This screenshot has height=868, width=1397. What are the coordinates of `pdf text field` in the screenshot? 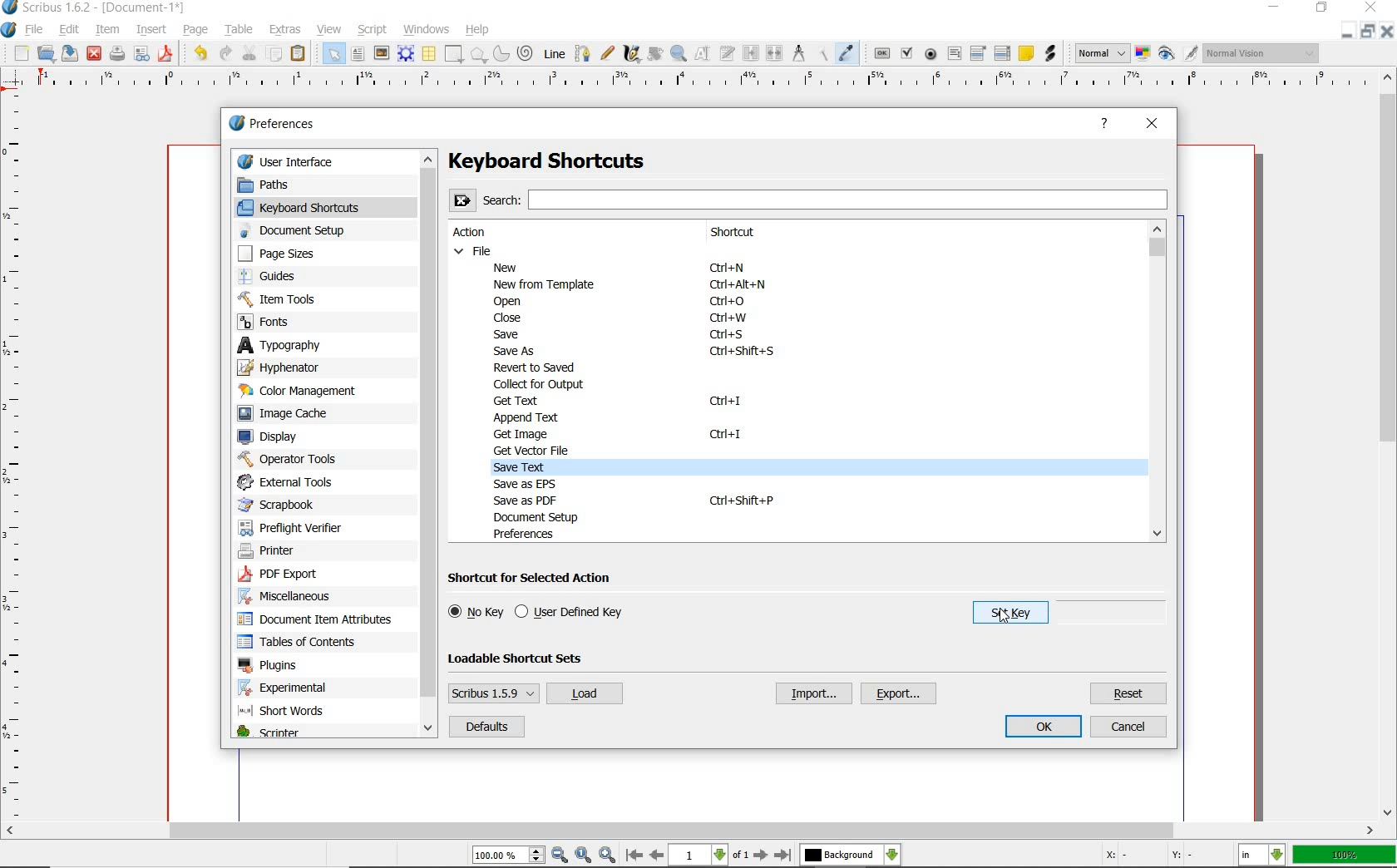 It's located at (954, 56).